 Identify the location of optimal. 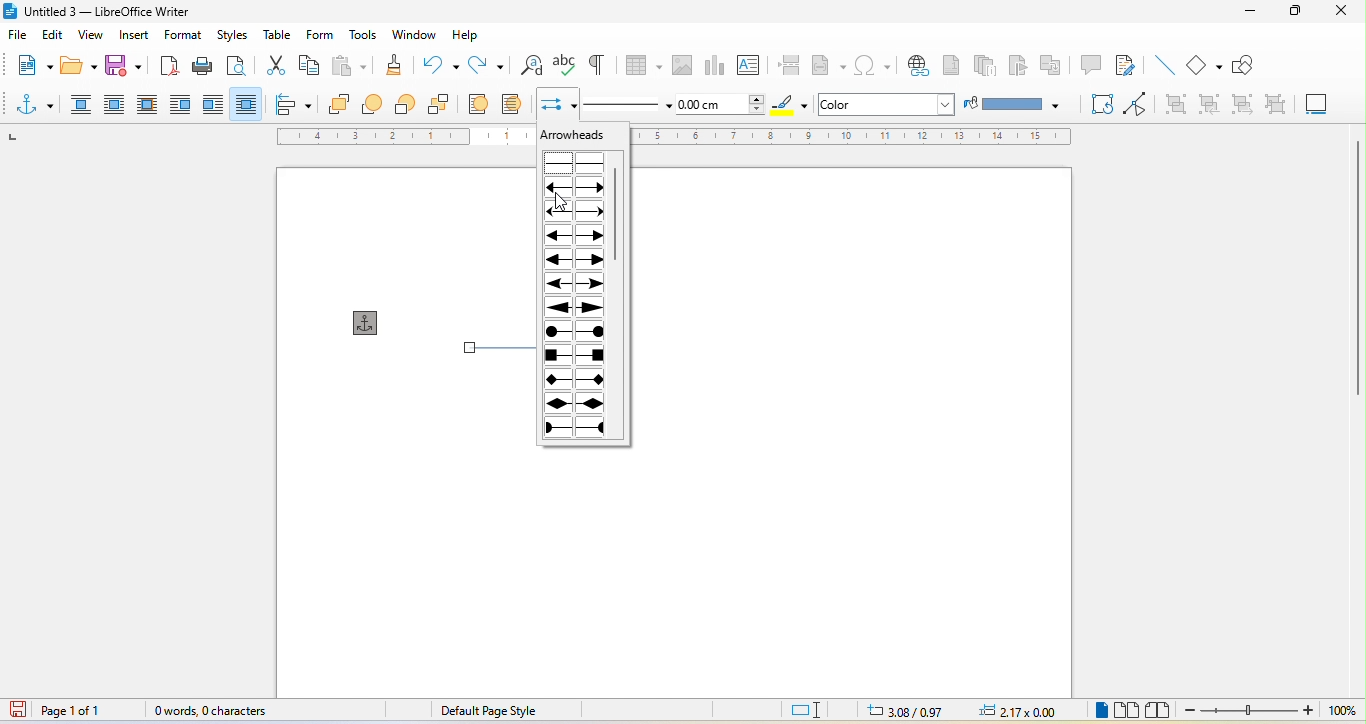
(148, 103).